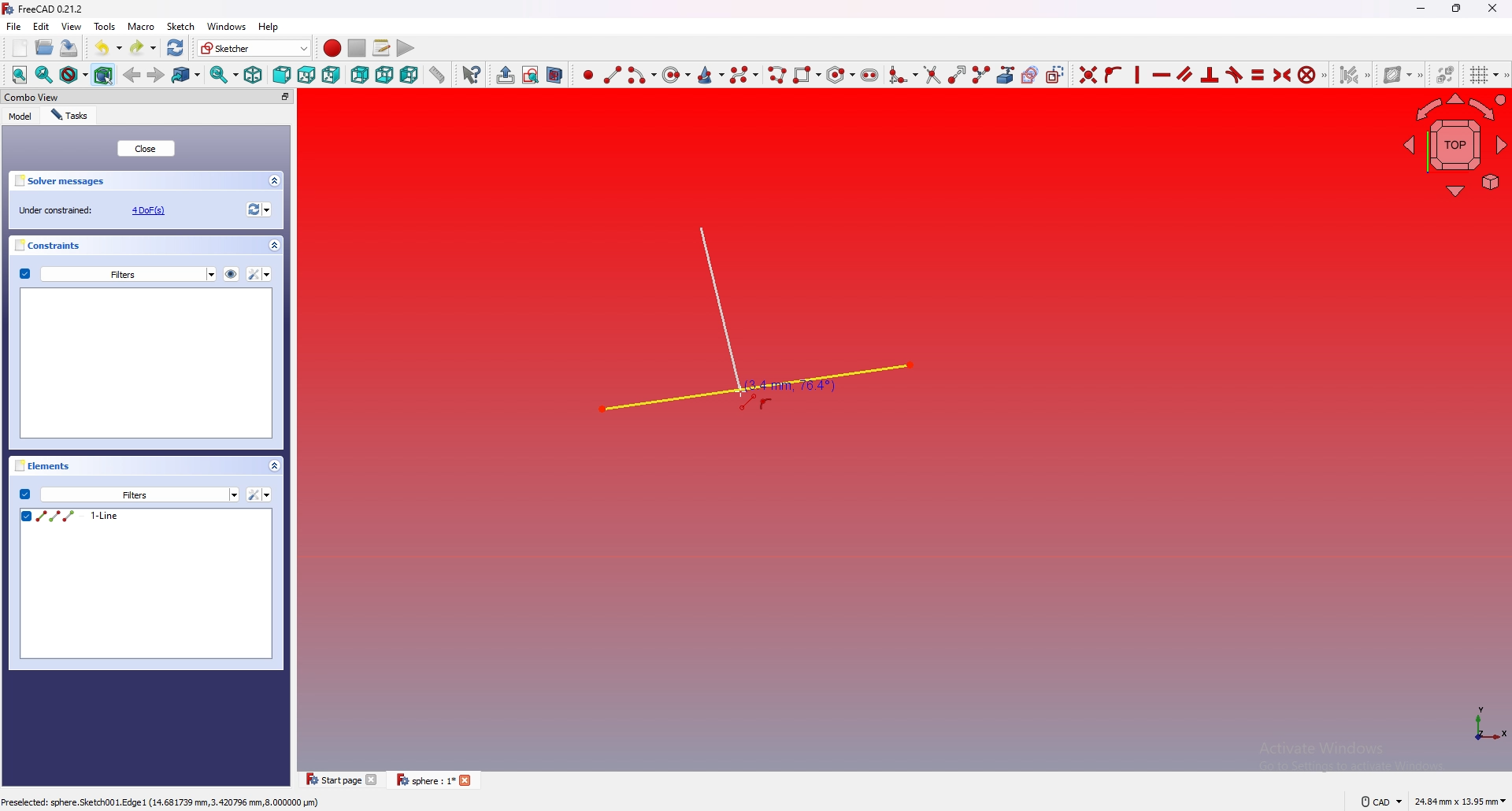 The width and height of the screenshot is (1512, 811). What do you see at coordinates (1258, 74) in the screenshot?
I see `Constrain equal` at bounding box center [1258, 74].